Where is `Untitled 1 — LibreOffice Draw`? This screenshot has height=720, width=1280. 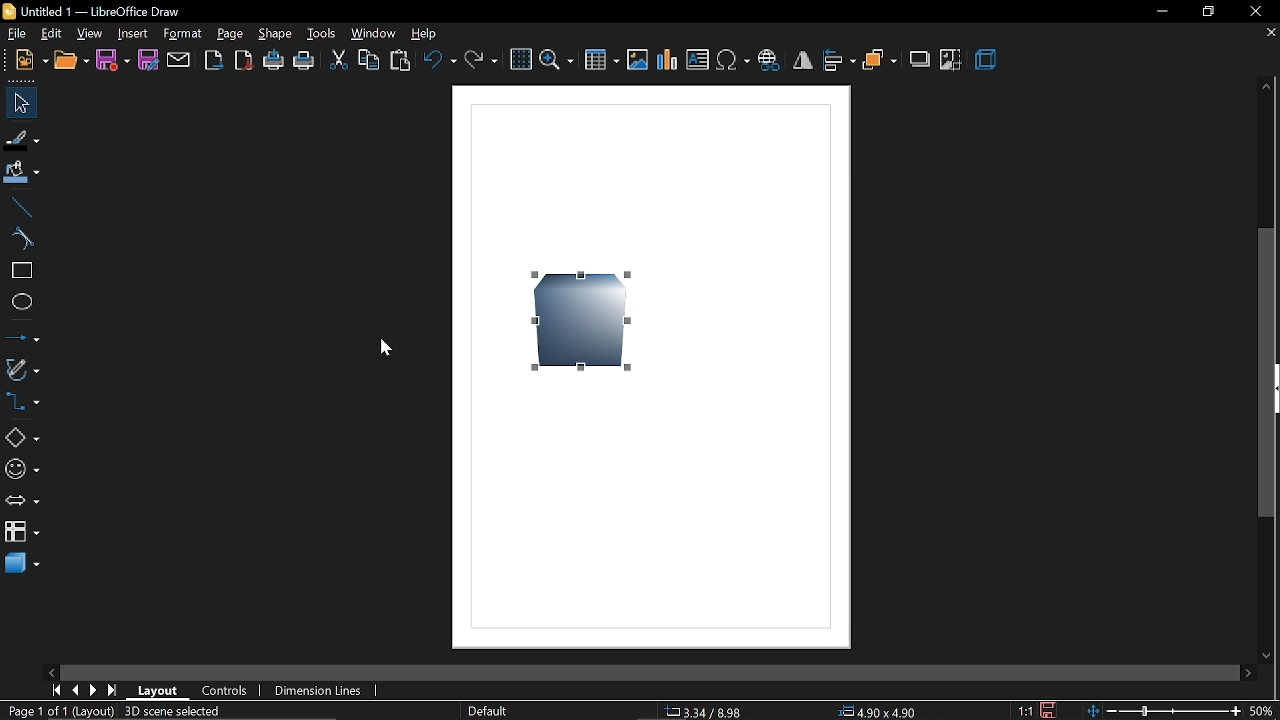
Untitled 1 — LibreOffice Draw is located at coordinates (99, 12).